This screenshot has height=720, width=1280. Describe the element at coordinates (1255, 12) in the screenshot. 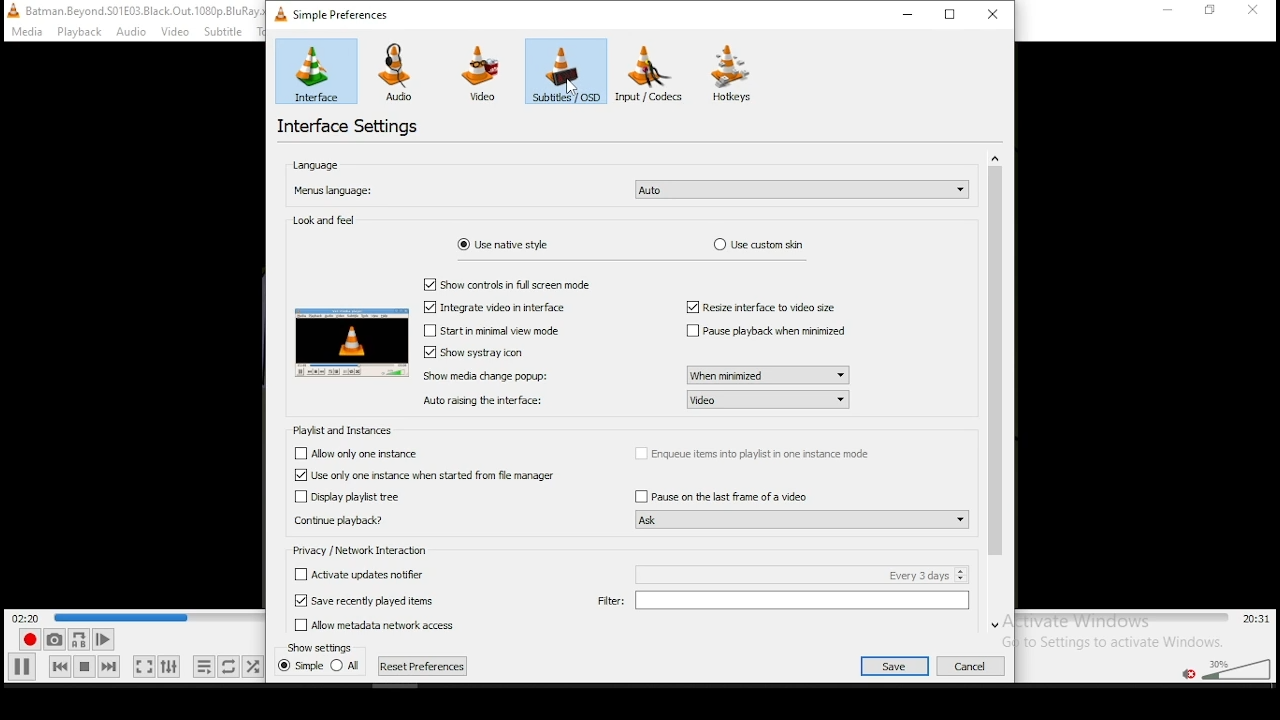

I see `close window` at that location.